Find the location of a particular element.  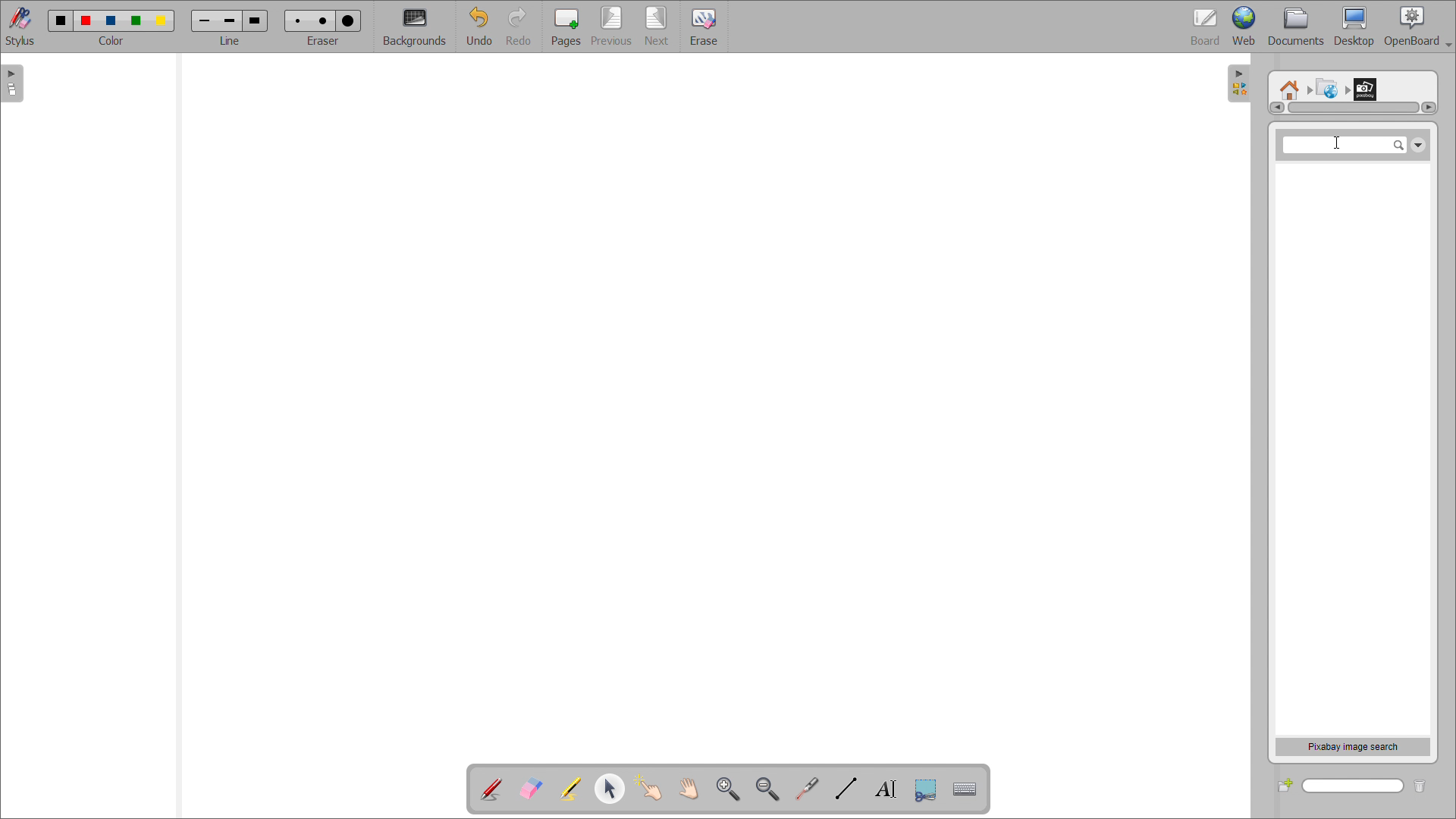

web is located at coordinates (1244, 27).